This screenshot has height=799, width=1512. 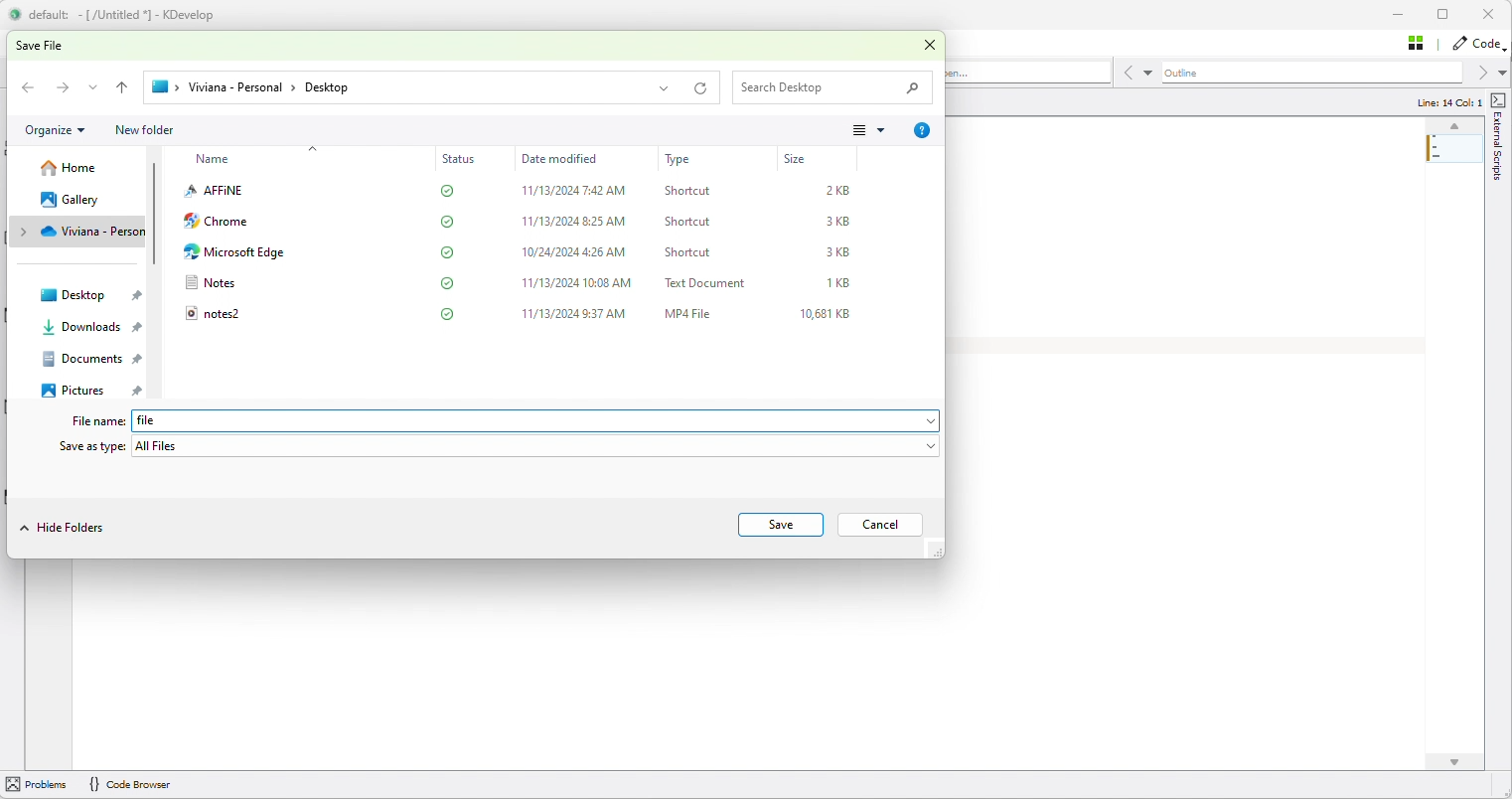 I want to click on 3KB, so click(x=841, y=251).